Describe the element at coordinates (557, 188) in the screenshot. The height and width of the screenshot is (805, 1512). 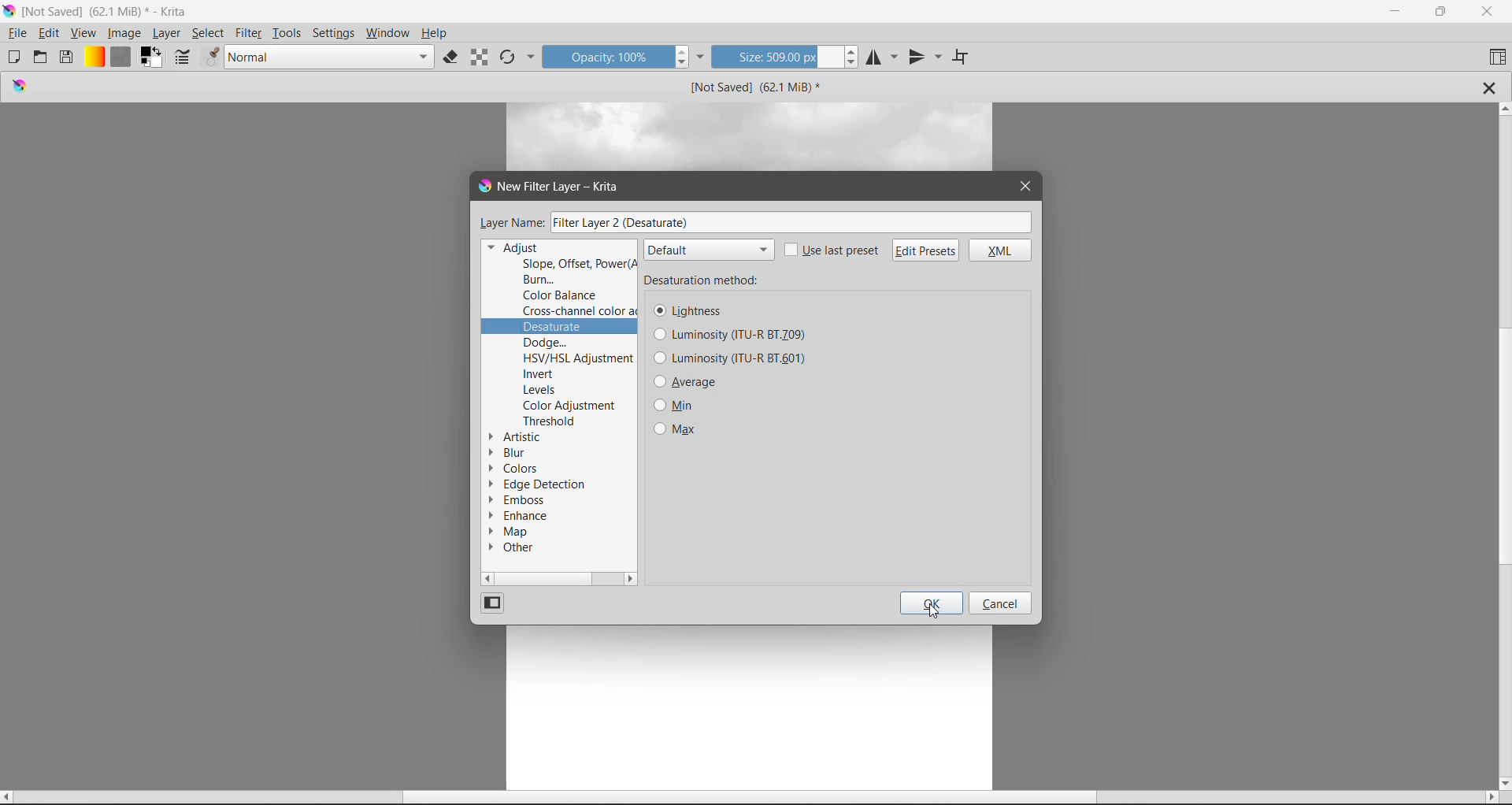
I see `New Filter Layer` at that location.